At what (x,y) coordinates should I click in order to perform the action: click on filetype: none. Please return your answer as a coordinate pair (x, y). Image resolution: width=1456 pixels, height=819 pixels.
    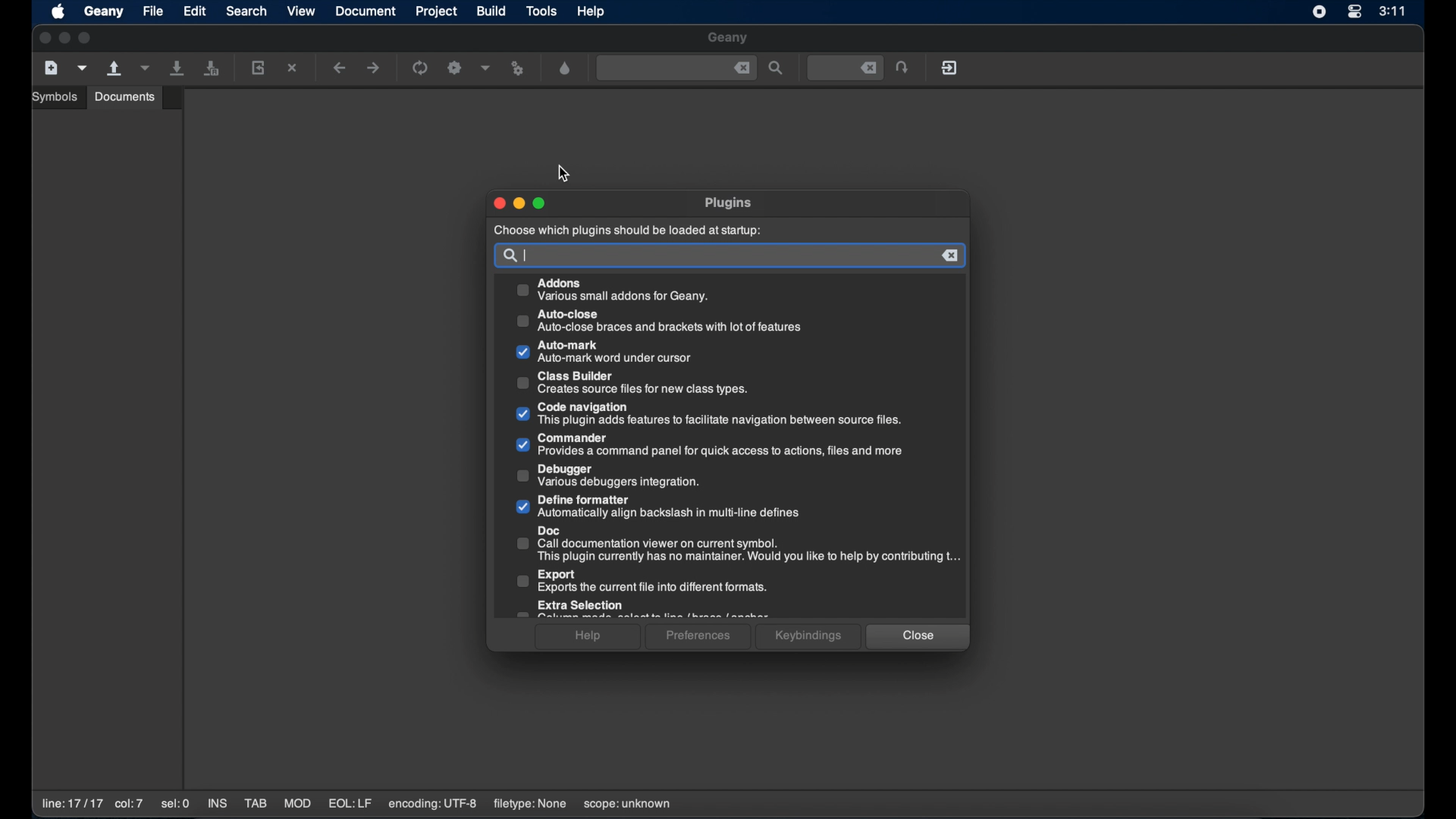
    Looking at the image, I should click on (529, 804).